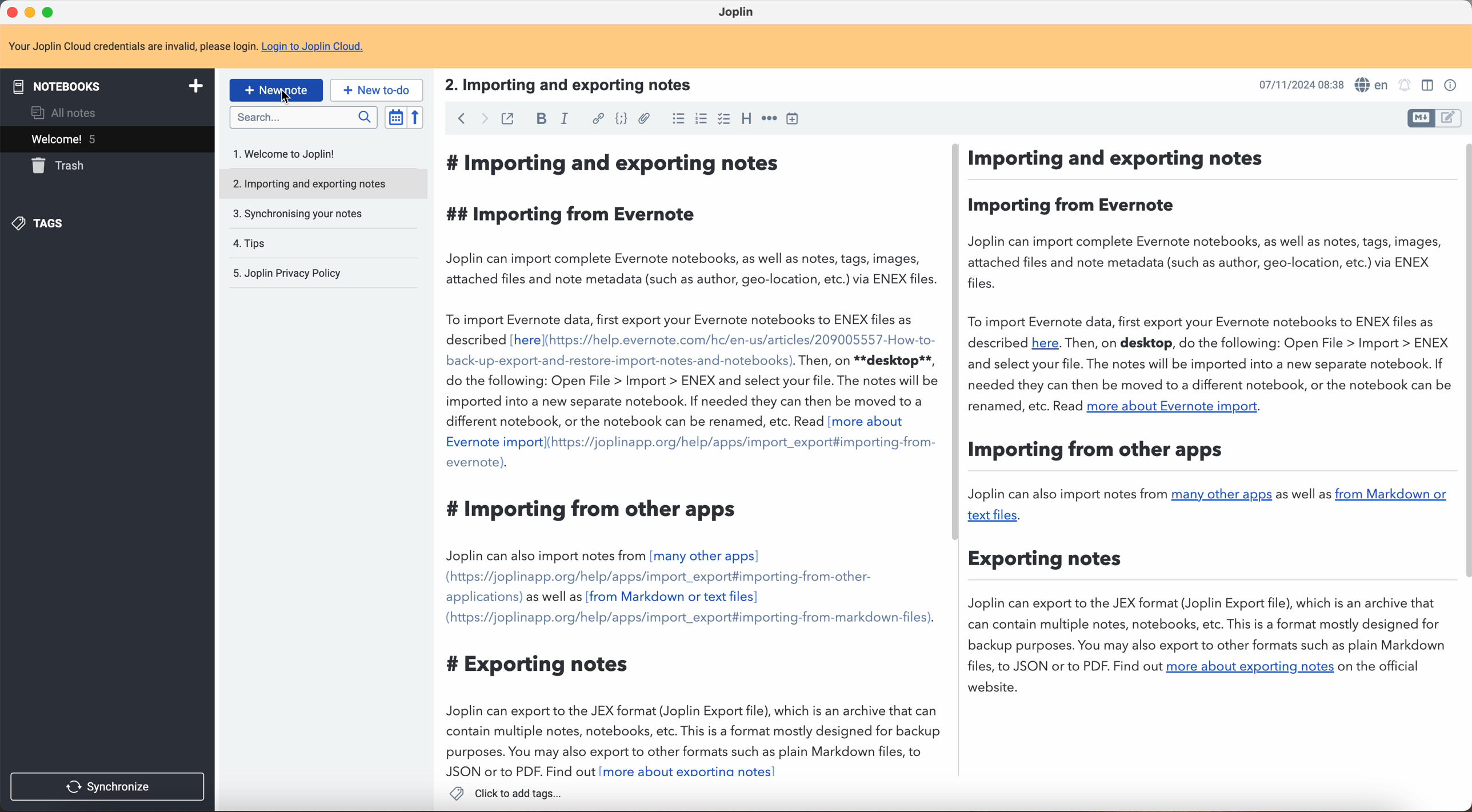 Image resolution: width=1472 pixels, height=812 pixels. What do you see at coordinates (1449, 119) in the screenshot?
I see `toggle edit layout` at bounding box center [1449, 119].